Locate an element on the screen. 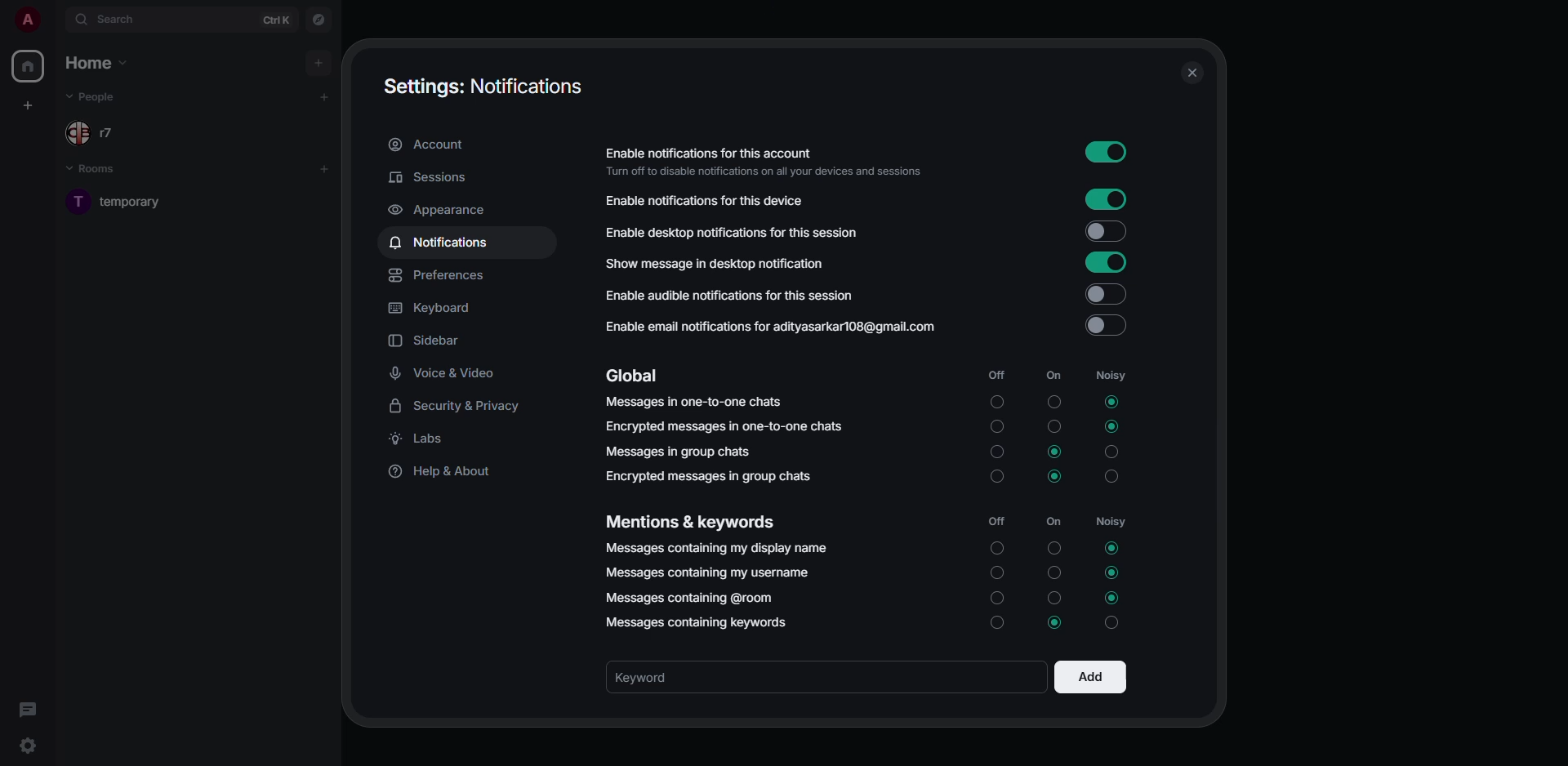 This screenshot has width=1568, height=766. on is located at coordinates (1054, 376).